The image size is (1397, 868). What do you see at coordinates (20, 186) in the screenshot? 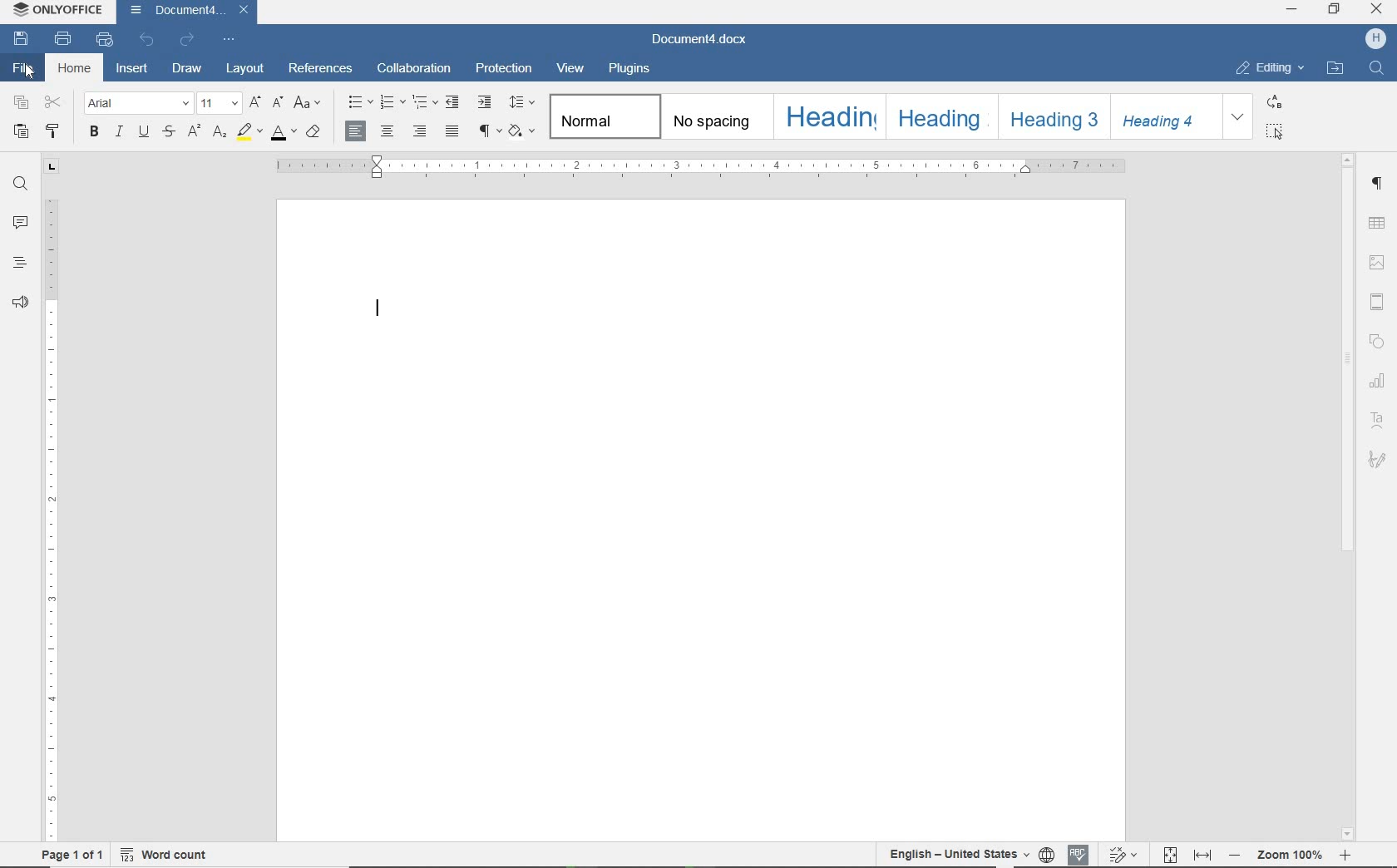
I see `search` at bounding box center [20, 186].